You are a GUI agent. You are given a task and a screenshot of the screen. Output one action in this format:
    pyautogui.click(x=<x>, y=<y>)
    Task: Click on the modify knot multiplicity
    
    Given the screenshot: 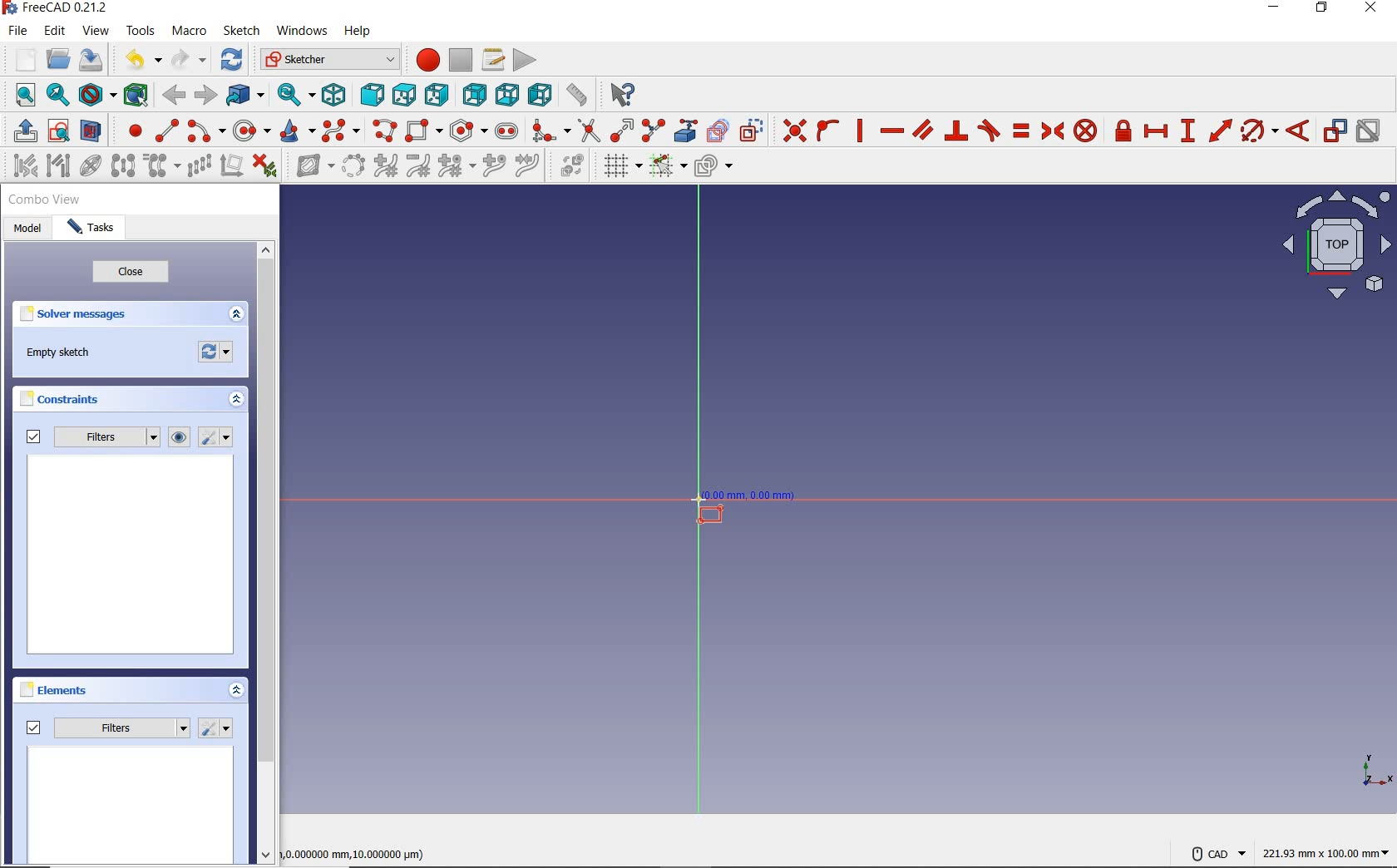 What is the action you would take?
    pyautogui.click(x=455, y=167)
    